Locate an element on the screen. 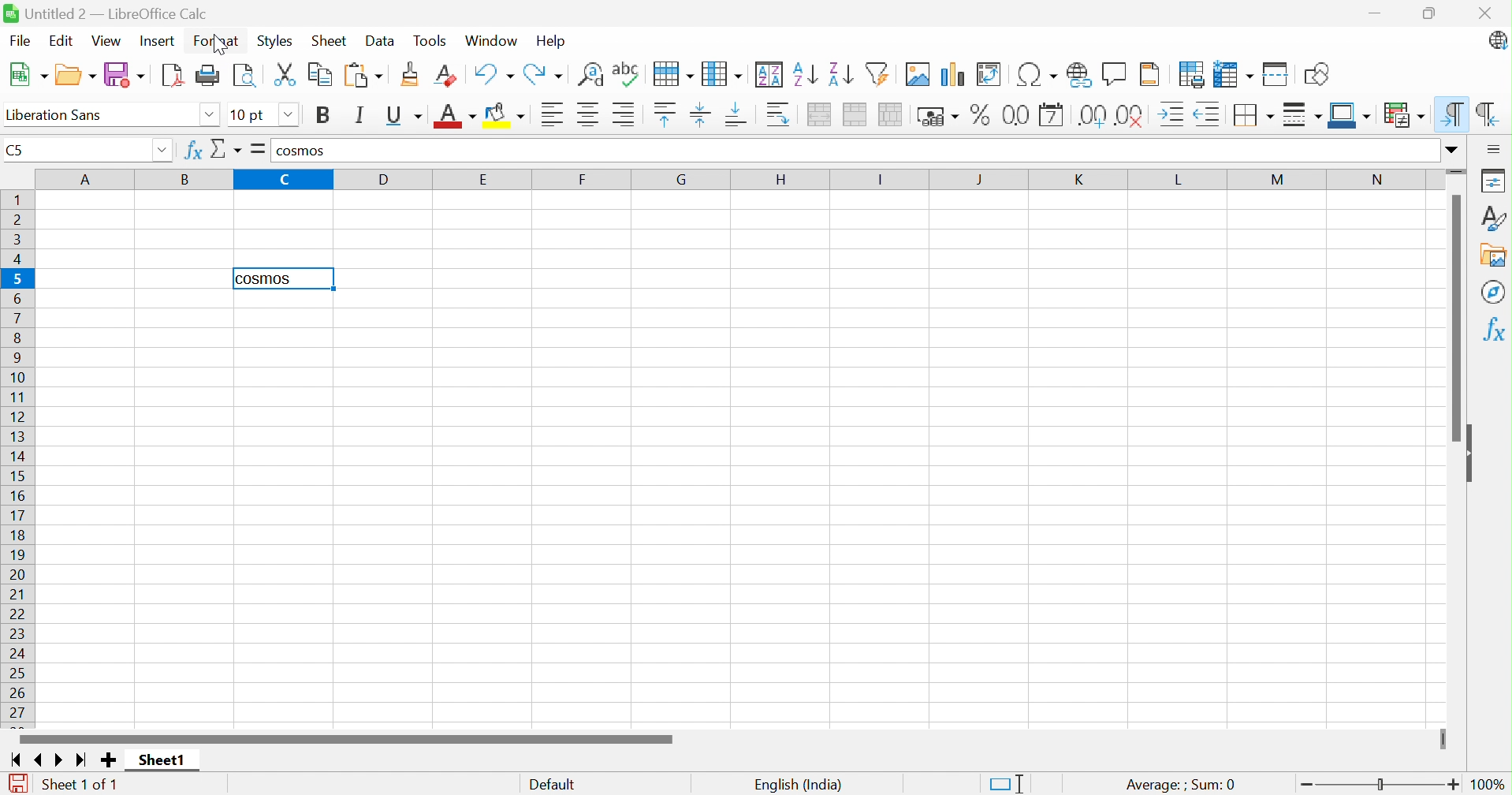 The image size is (1512, 795). Bold is located at coordinates (324, 118).